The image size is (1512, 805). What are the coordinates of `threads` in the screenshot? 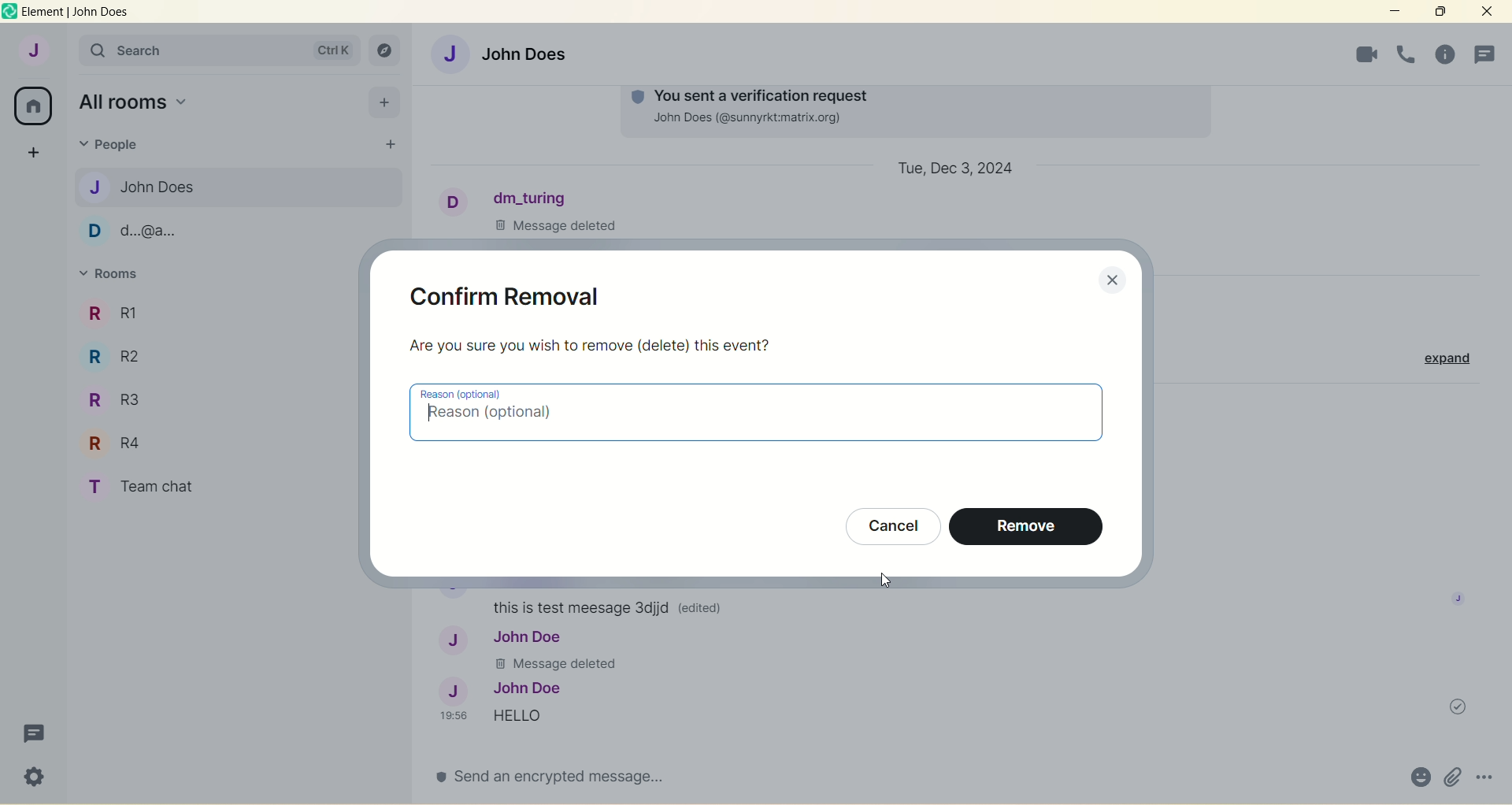 It's located at (1444, 54).